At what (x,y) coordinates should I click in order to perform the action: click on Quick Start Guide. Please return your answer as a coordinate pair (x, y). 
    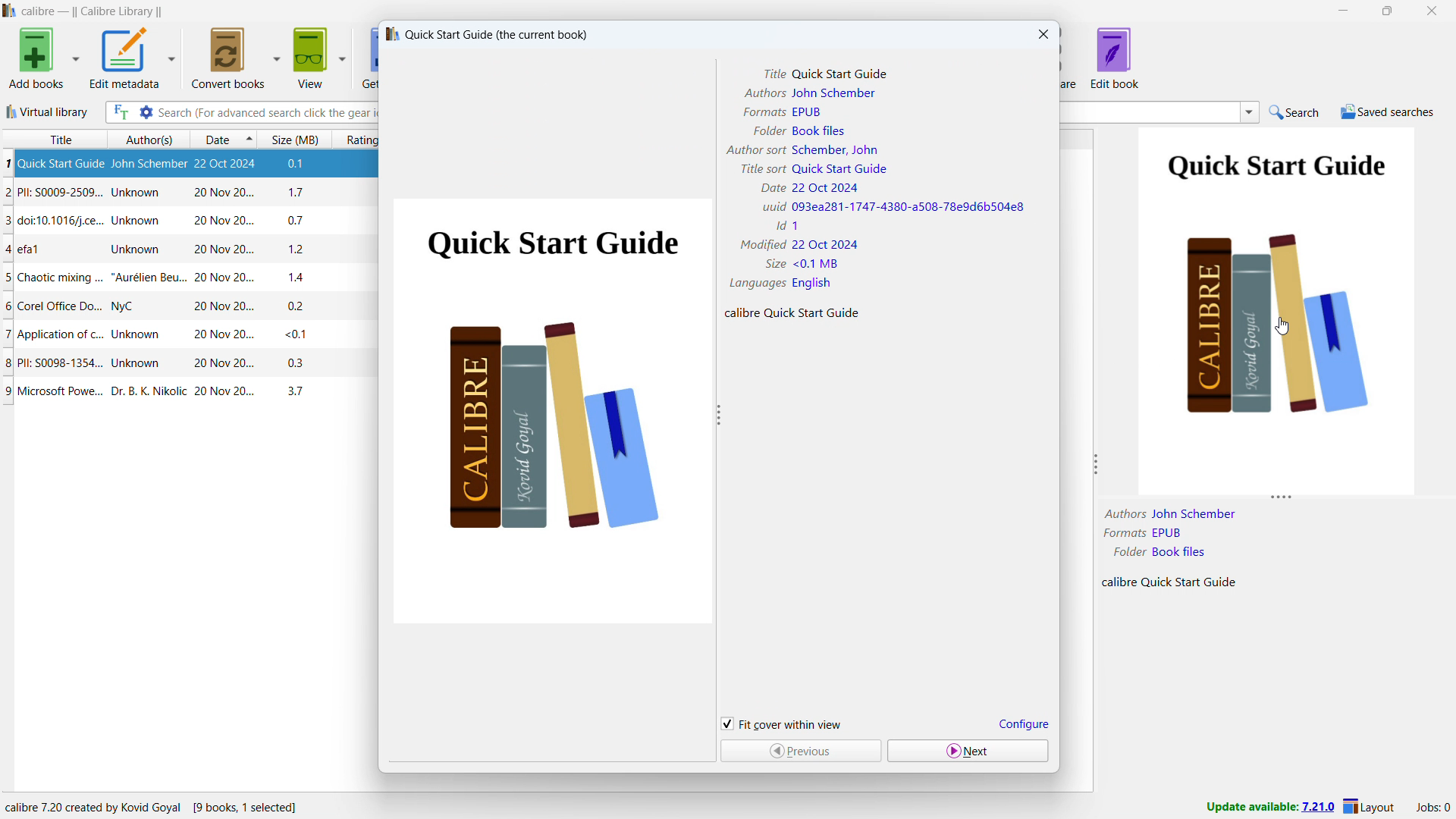
    Looking at the image, I should click on (1189, 582).